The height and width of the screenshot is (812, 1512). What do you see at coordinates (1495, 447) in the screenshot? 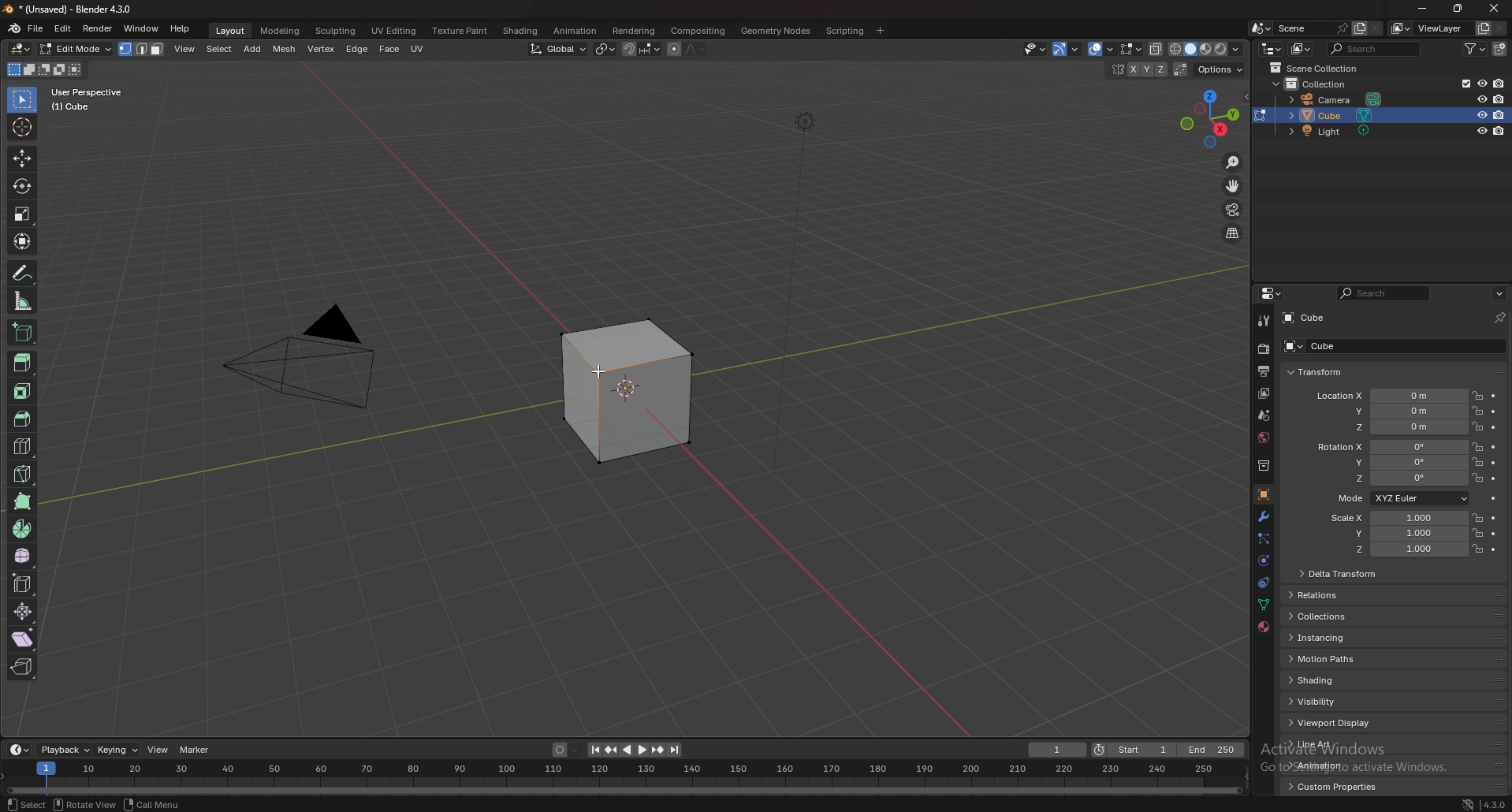
I see `animate property` at bounding box center [1495, 447].